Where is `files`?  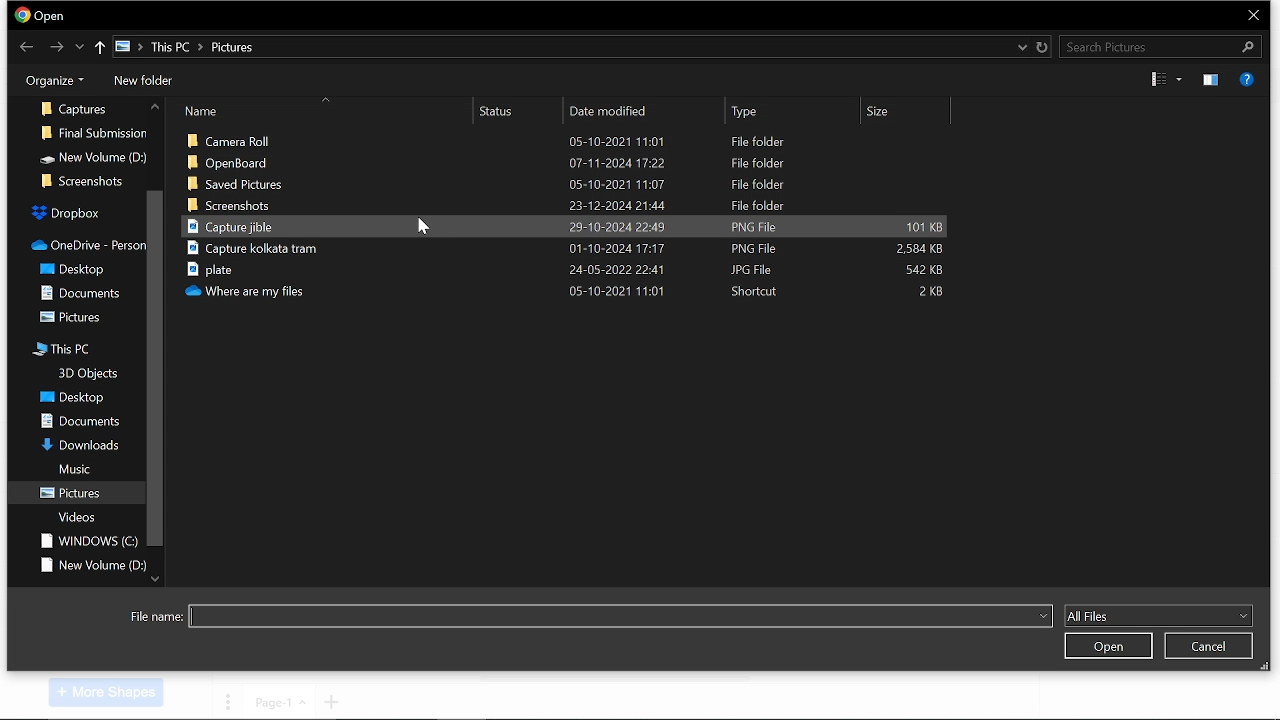 files is located at coordinates (573, 138).